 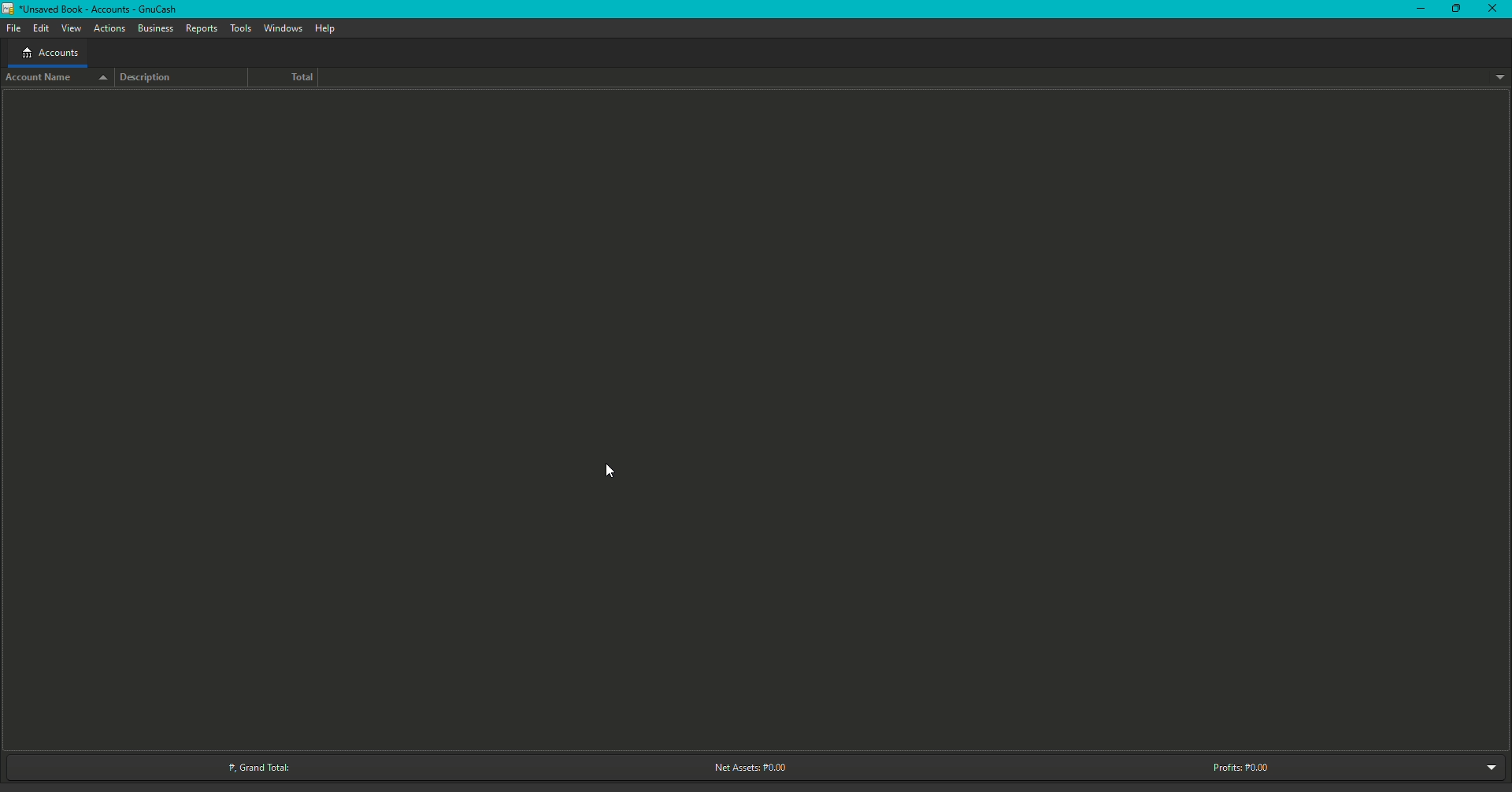 I want to click on View, so click(x=70, y=28).